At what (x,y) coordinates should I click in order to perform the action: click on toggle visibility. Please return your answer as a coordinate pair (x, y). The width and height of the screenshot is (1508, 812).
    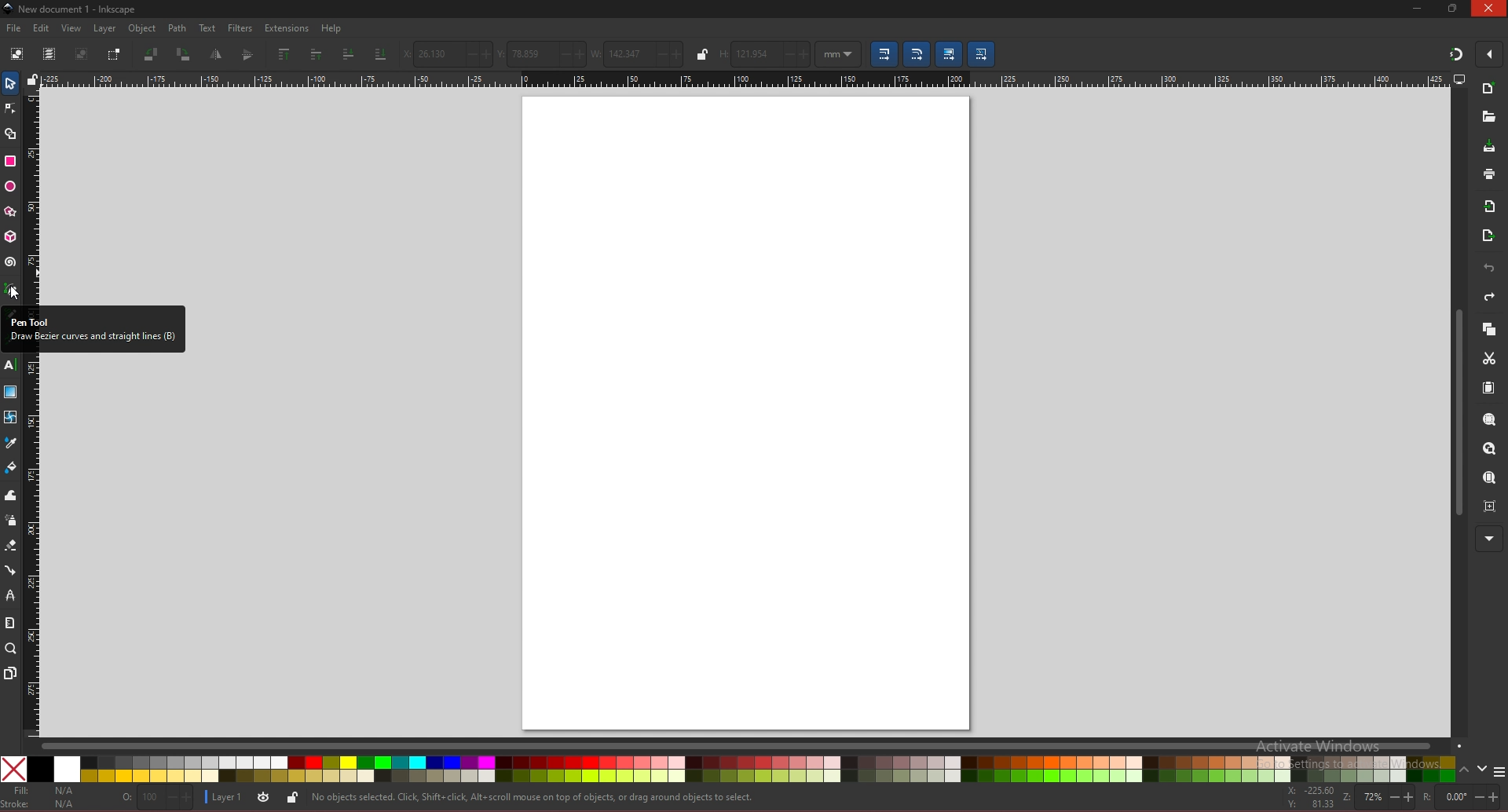
    Looking at the image, I should click on (263, 798).